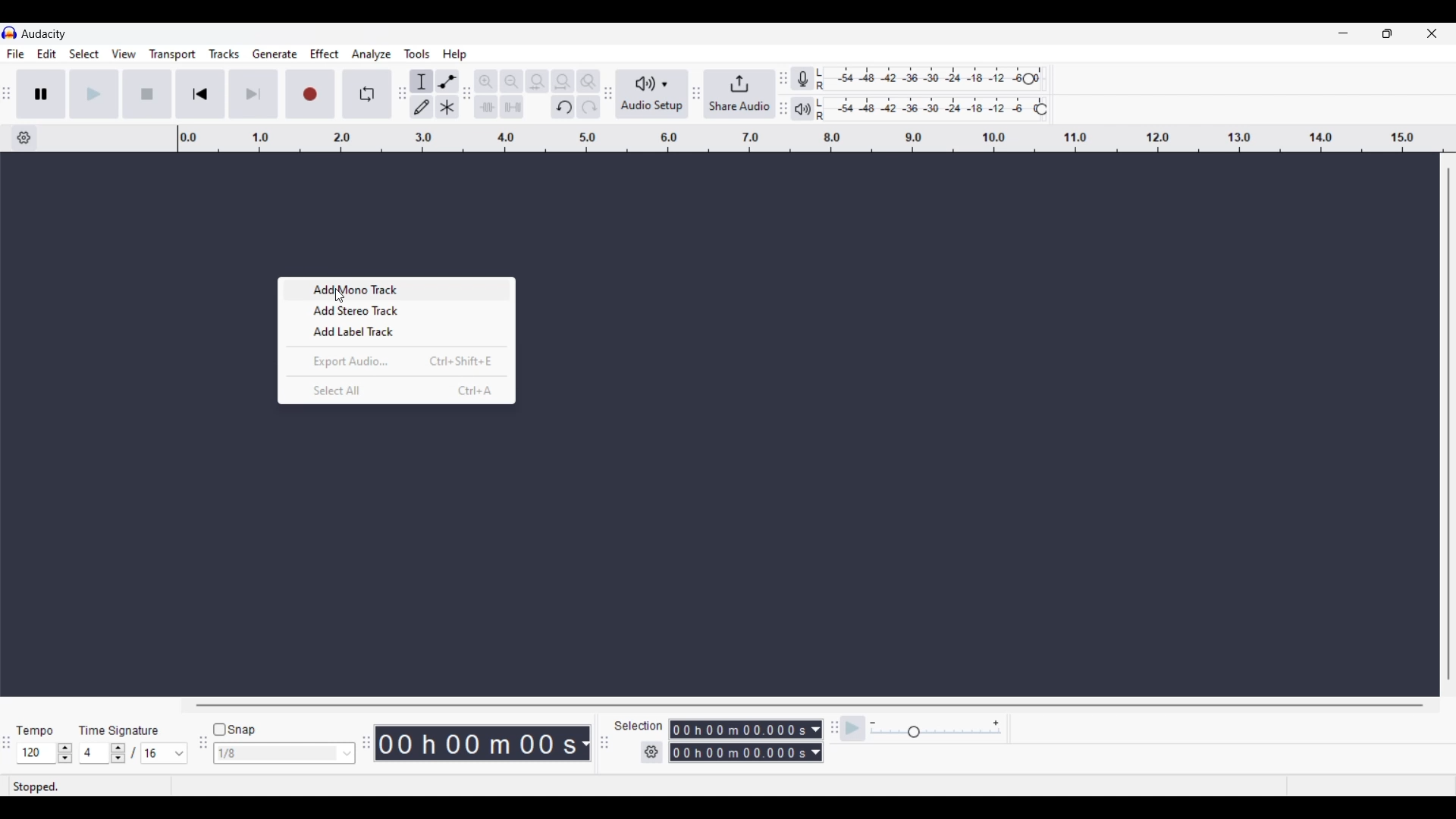 The height and width of the screenshot is (819, 1456). Describe the element at coordinates (47, 55) in the screenshot. I see `Edit menu` at that location.